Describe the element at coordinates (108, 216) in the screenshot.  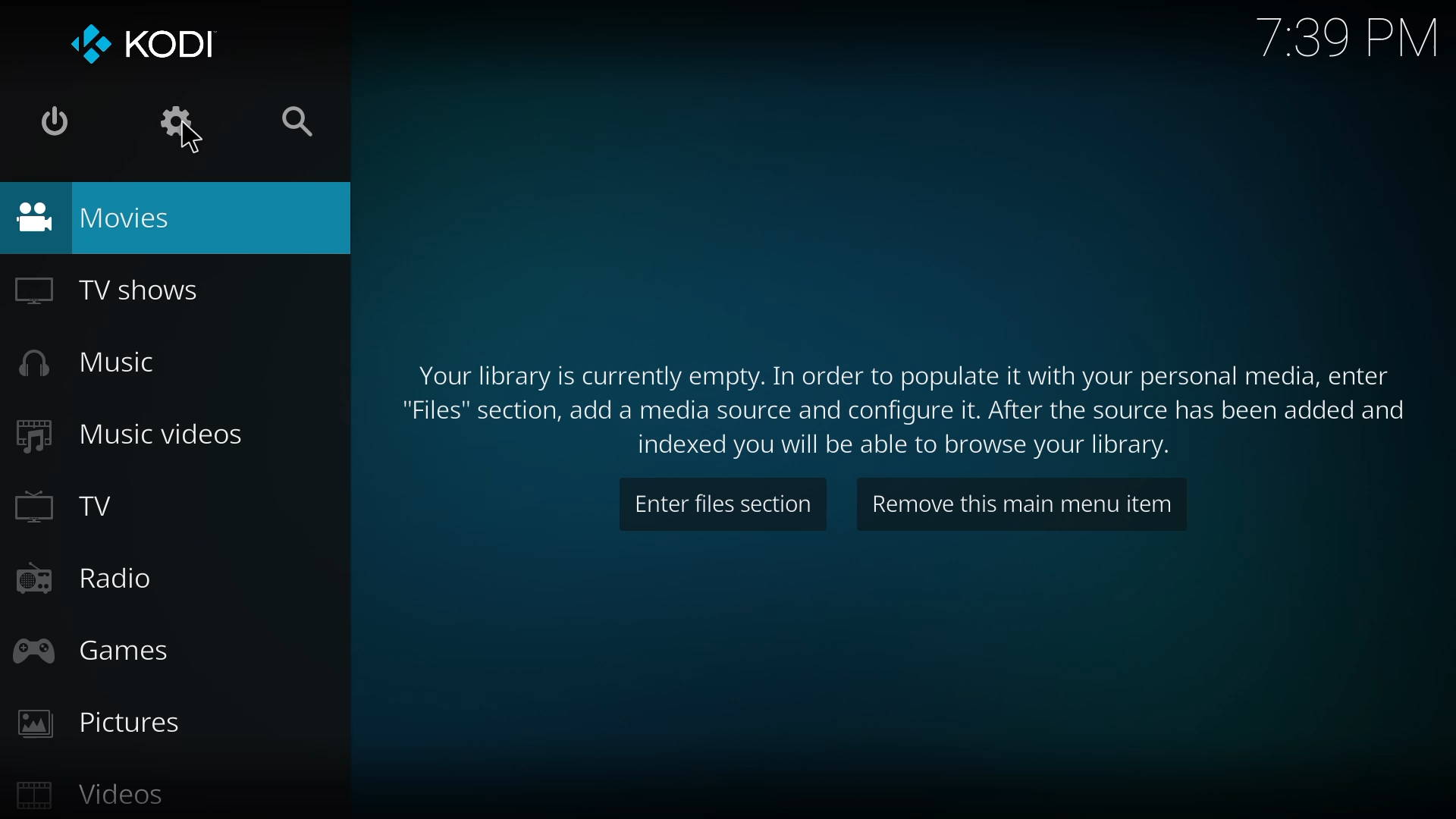
I see `movies` at that location.